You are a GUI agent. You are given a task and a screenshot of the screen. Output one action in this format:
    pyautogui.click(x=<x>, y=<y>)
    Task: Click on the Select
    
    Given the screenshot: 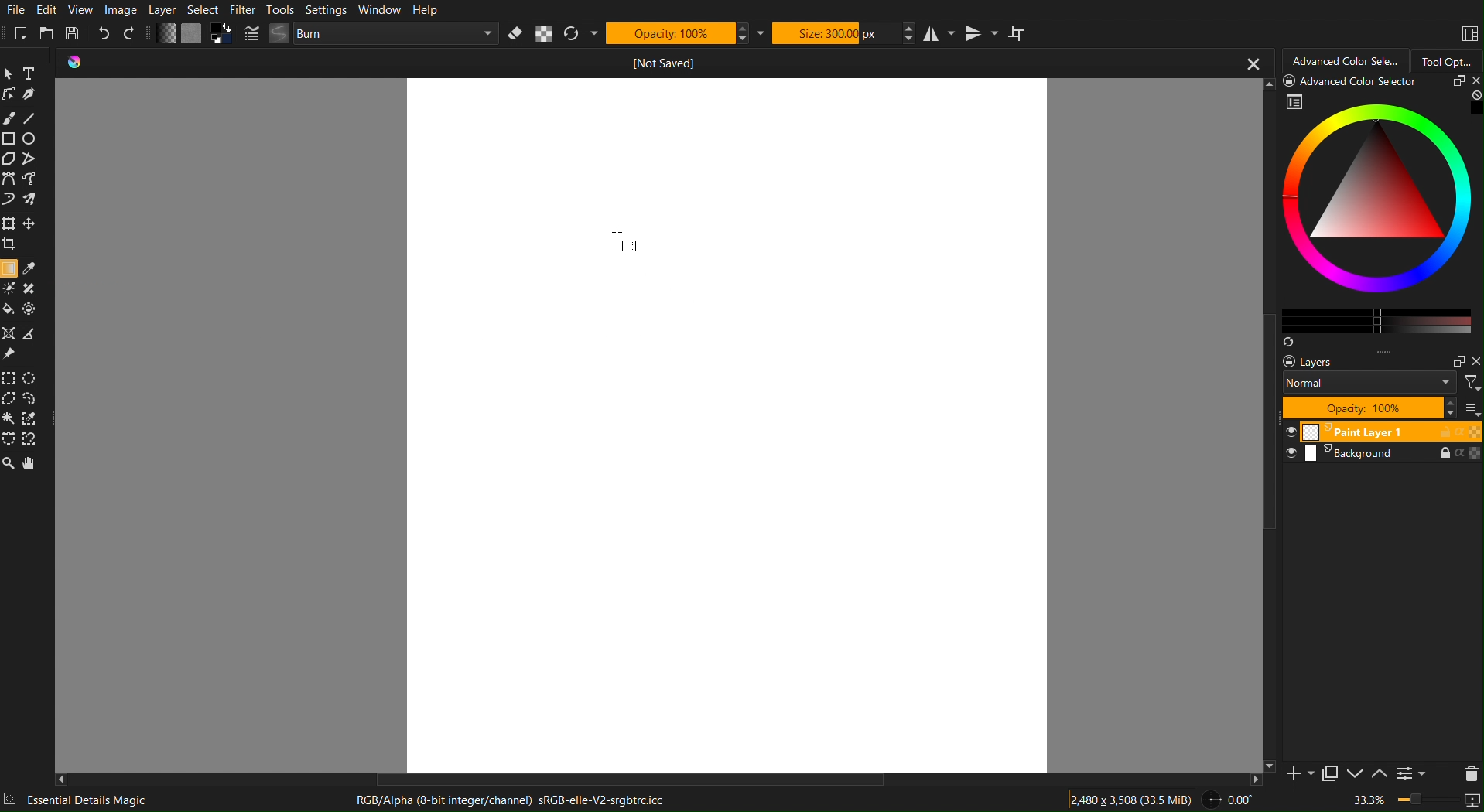 What is the action you would take?
    pyautogui.click(x=203, y=10)
    